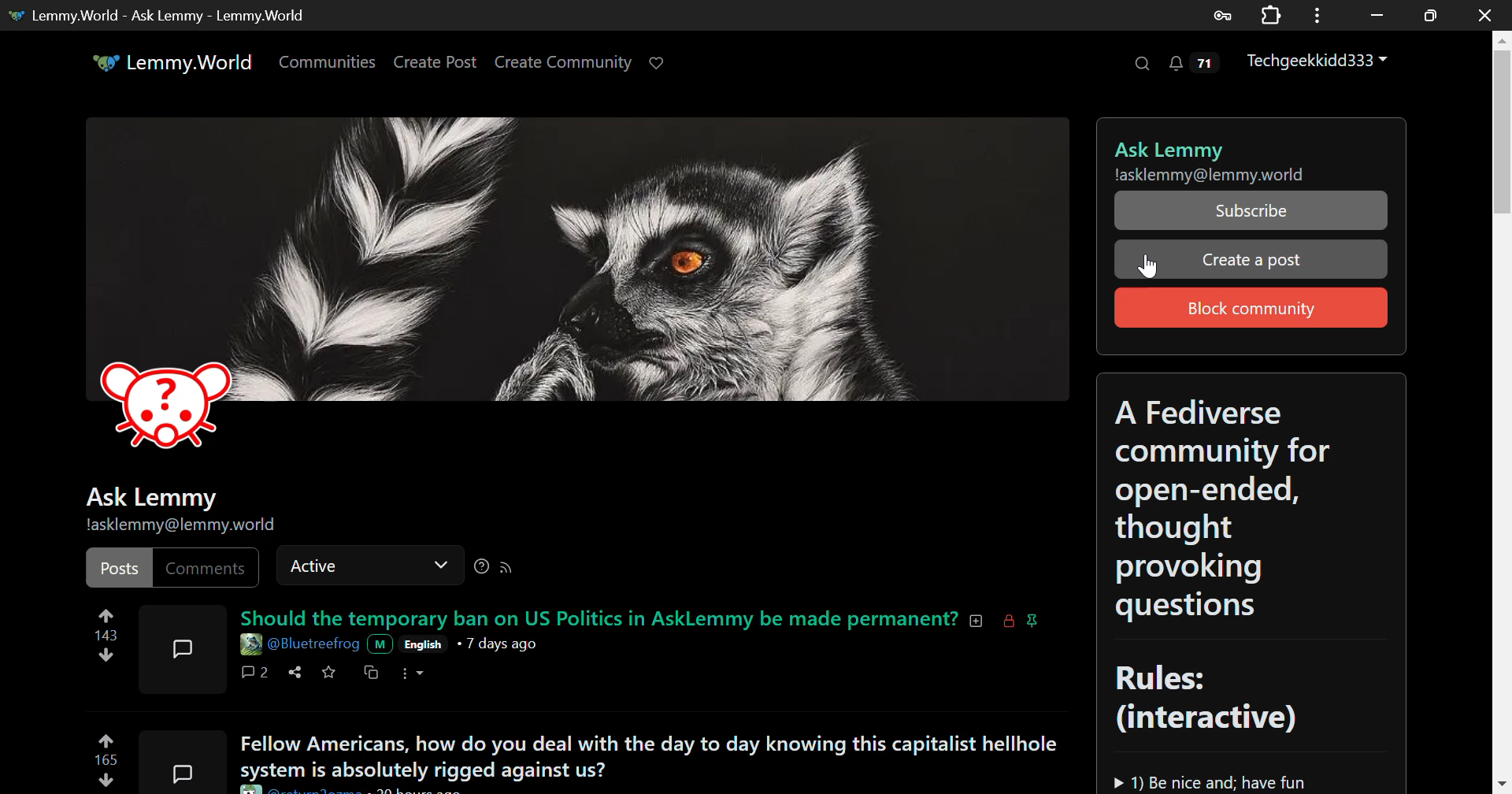 Image resolution: width=1512 pixels, height=794 pixels. Describe the element at coordinates (315, 645) in the screenshot. I see `@bluetreefrog` at that location.